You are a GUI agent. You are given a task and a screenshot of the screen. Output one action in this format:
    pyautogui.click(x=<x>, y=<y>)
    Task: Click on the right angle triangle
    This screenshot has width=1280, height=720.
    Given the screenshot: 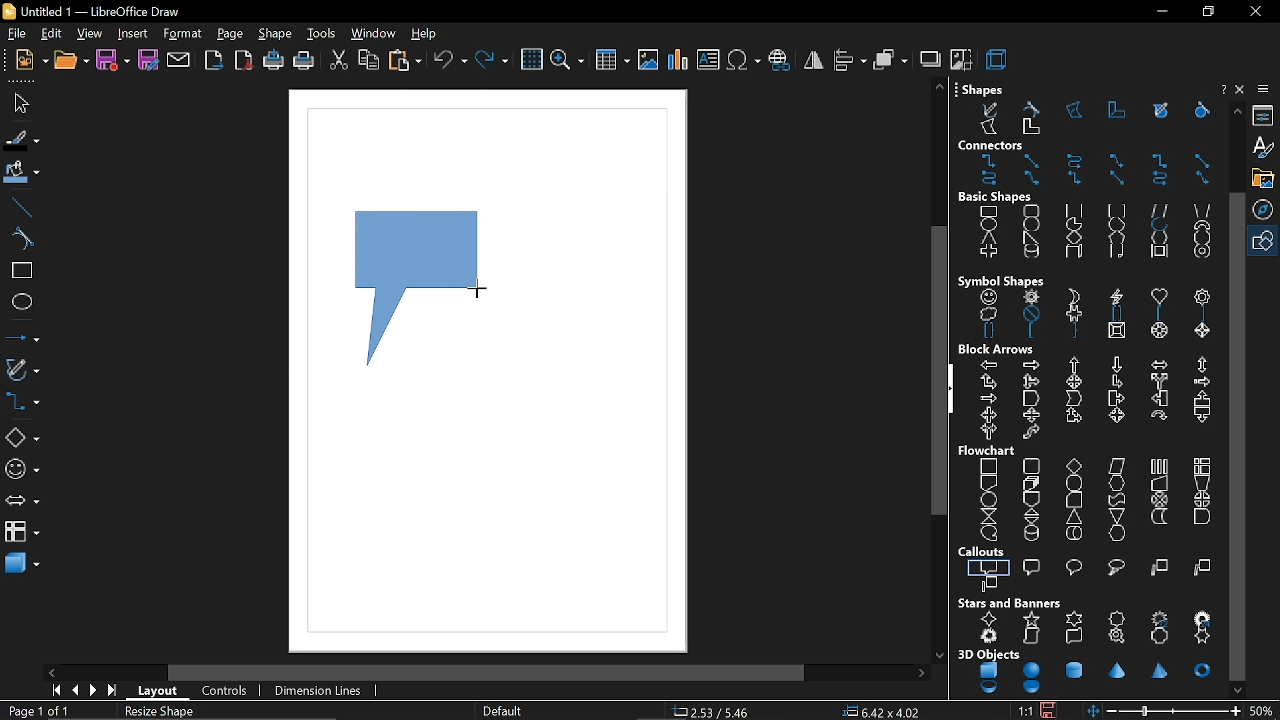 What is the action you would take?
    pyautogui.click(x=1029, y=238)
    